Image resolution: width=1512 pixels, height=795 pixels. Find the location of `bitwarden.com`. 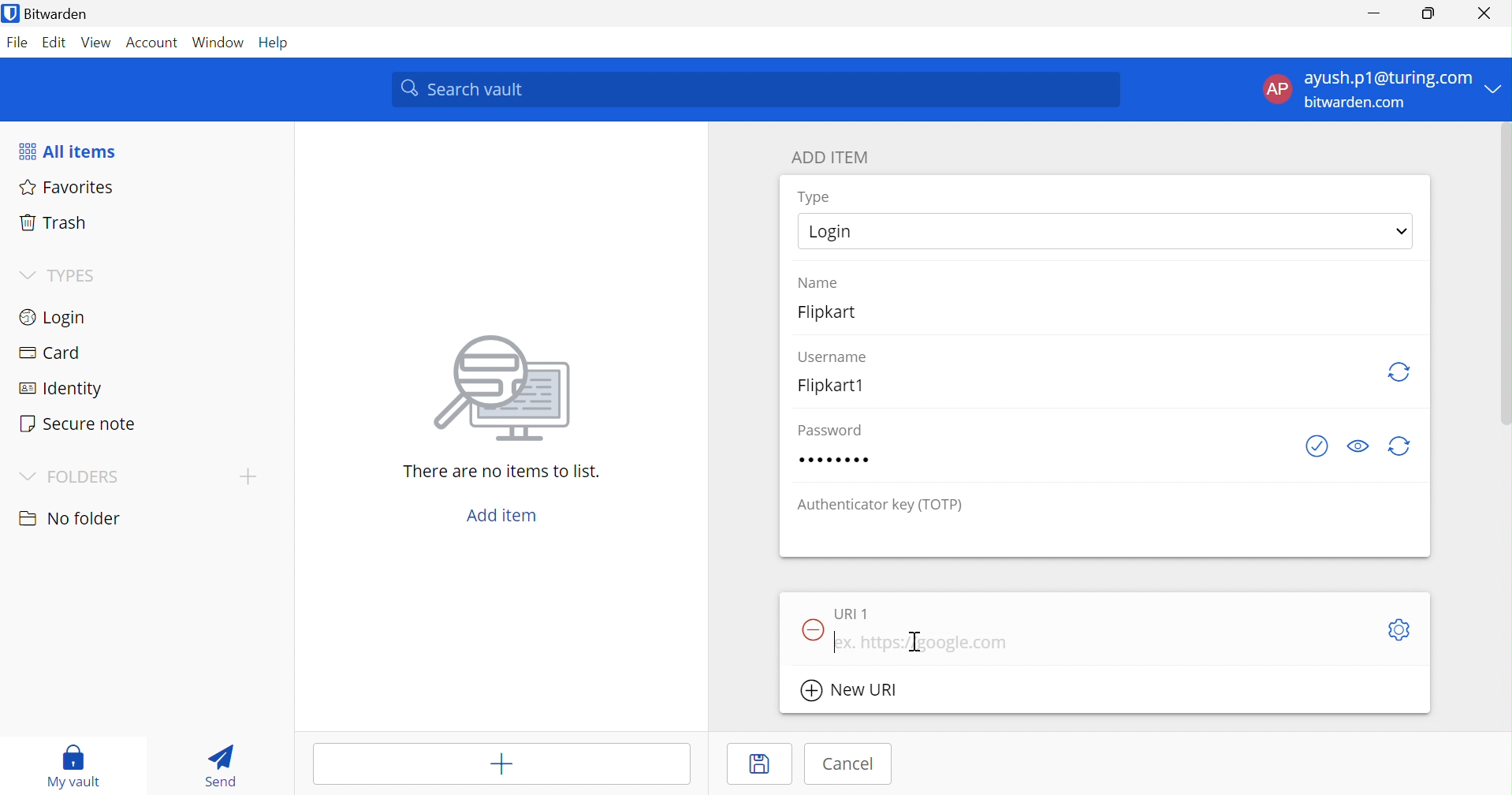

bitwarden.com is located at coordinates (1362, 104).